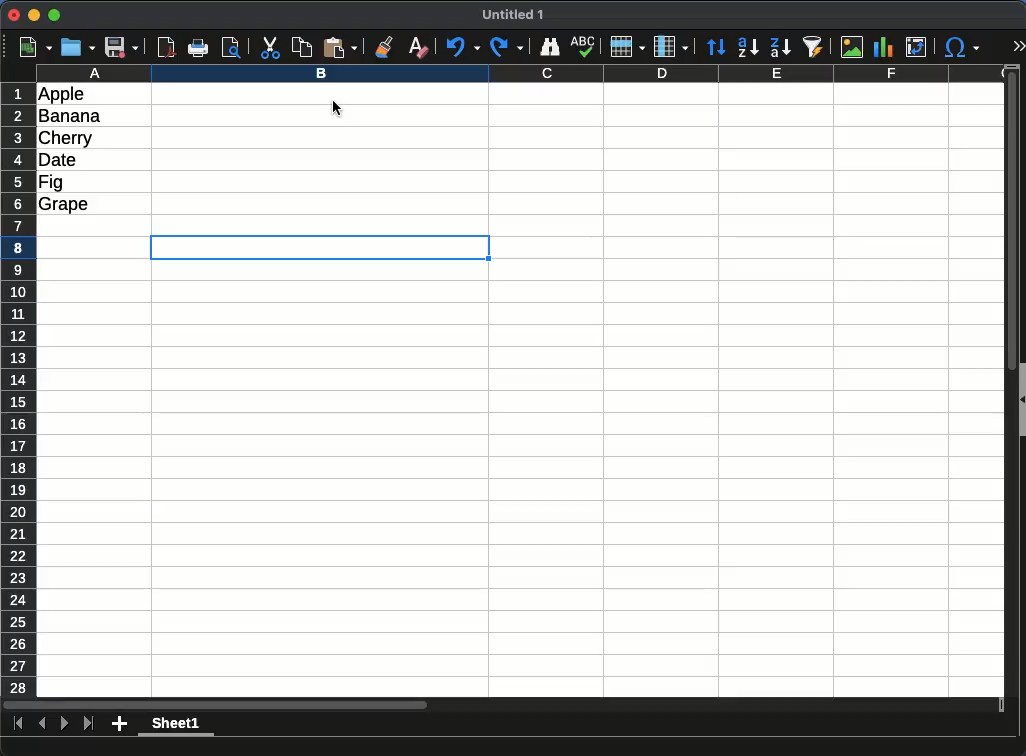  Describe the element at coordinates (66, 139) in the screenshot. I see `cherry` at that location.